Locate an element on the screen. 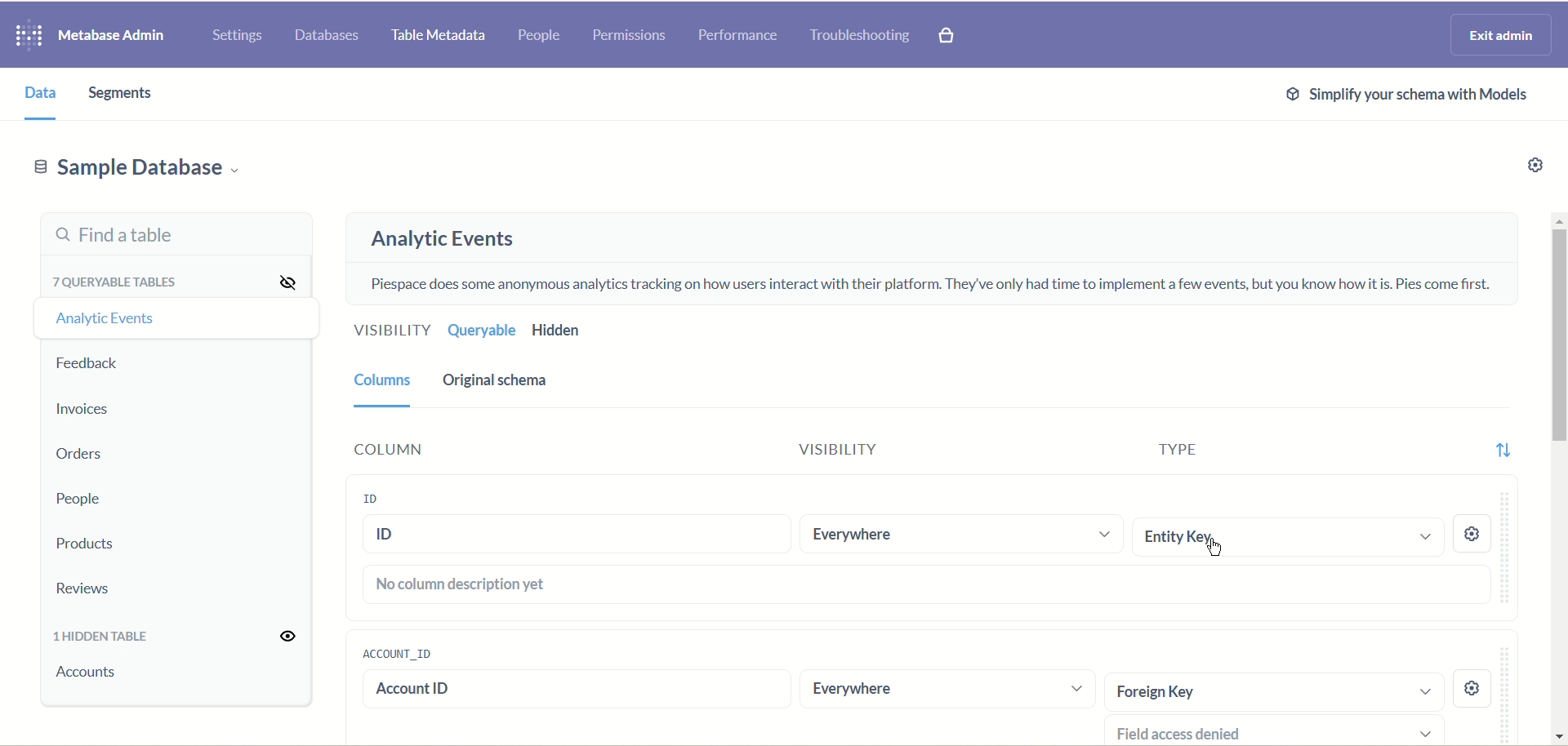 The width and height of the screenshot is (1568, 746). column is located at coordinates (385, 388).